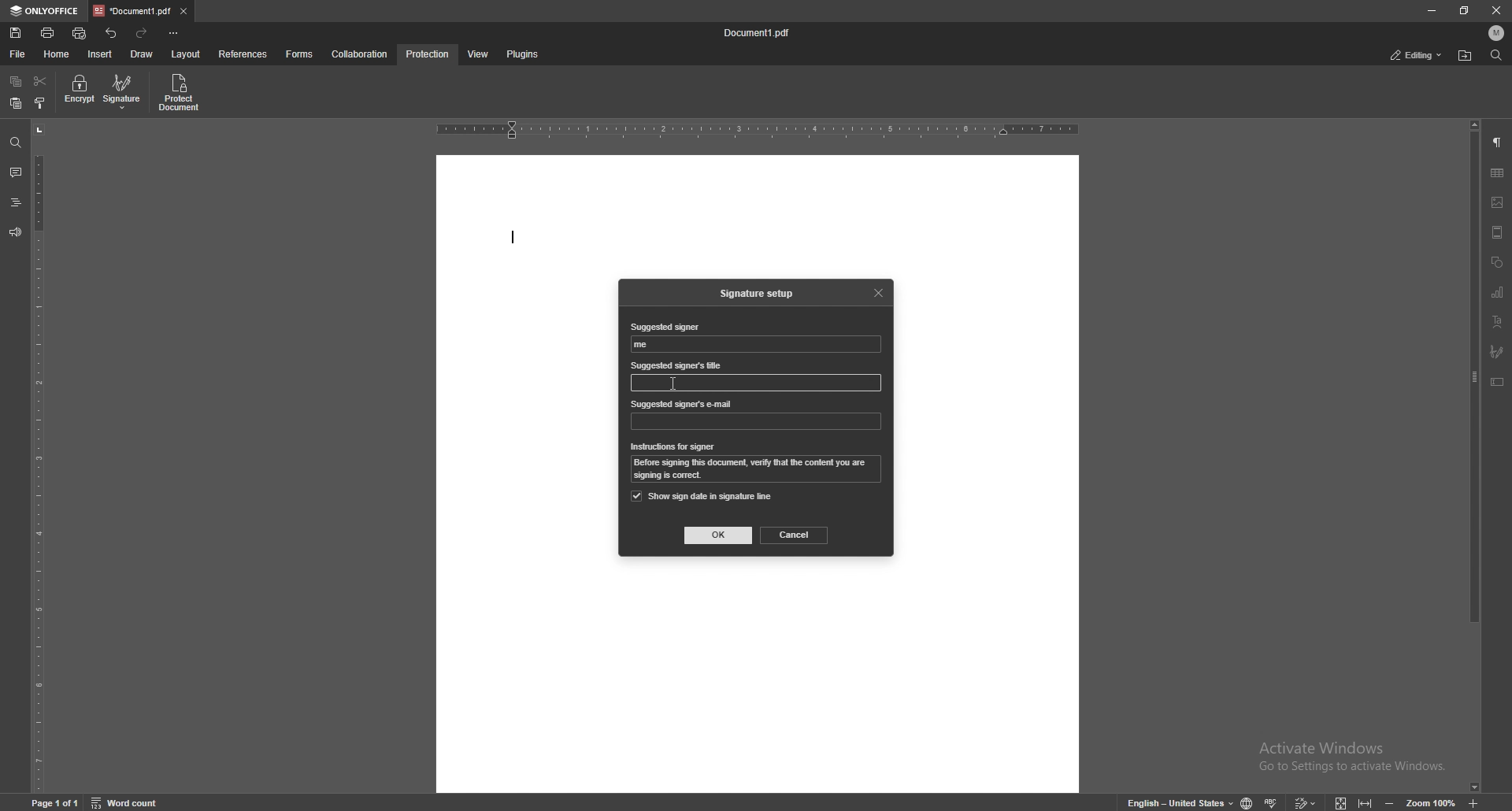 This screenshot has height=811, width=1512. I want to click on plugins, so click(521, 55).